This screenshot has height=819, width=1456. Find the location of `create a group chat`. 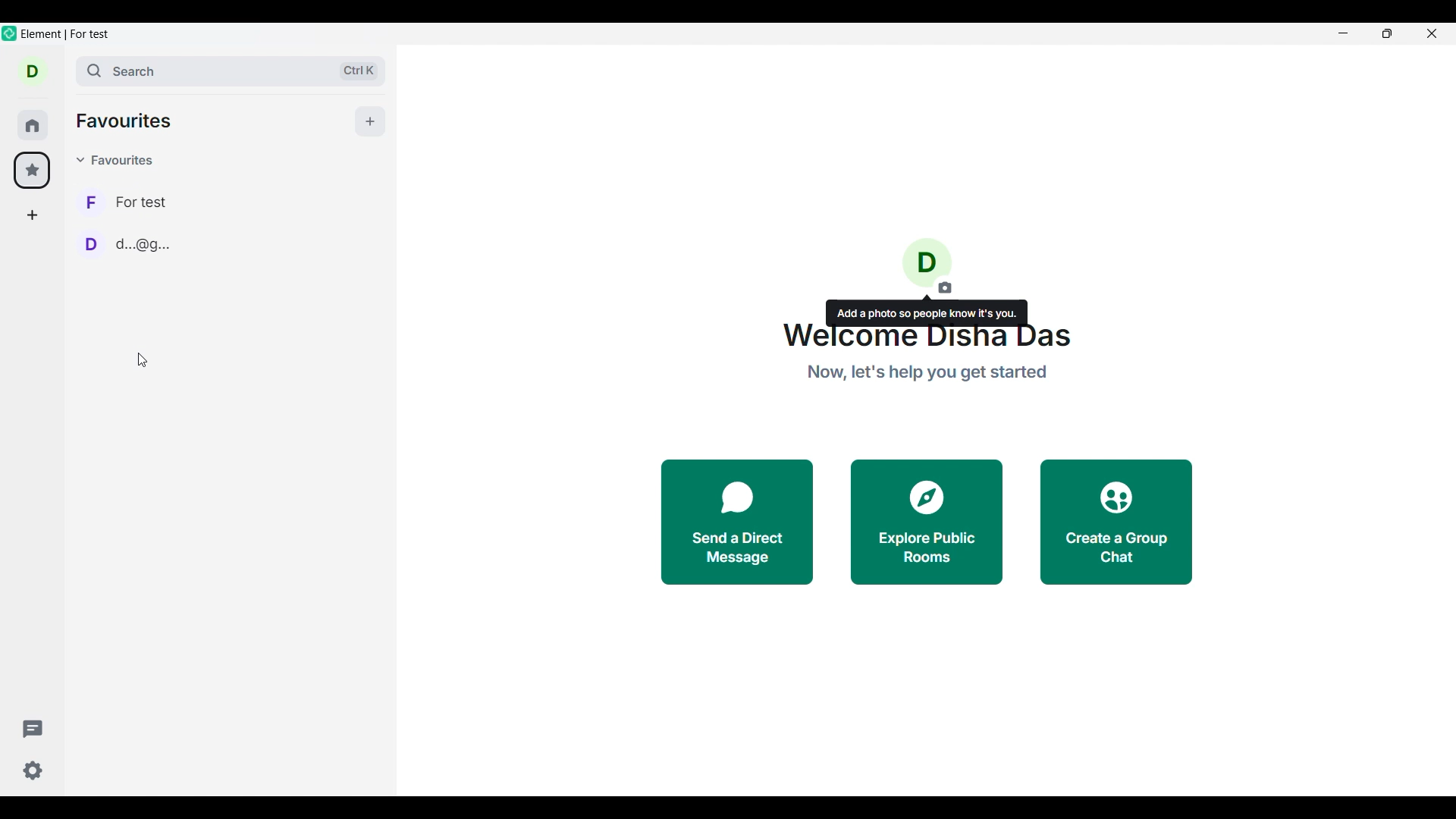

create a group chat is located at coordinates (1116, 520).